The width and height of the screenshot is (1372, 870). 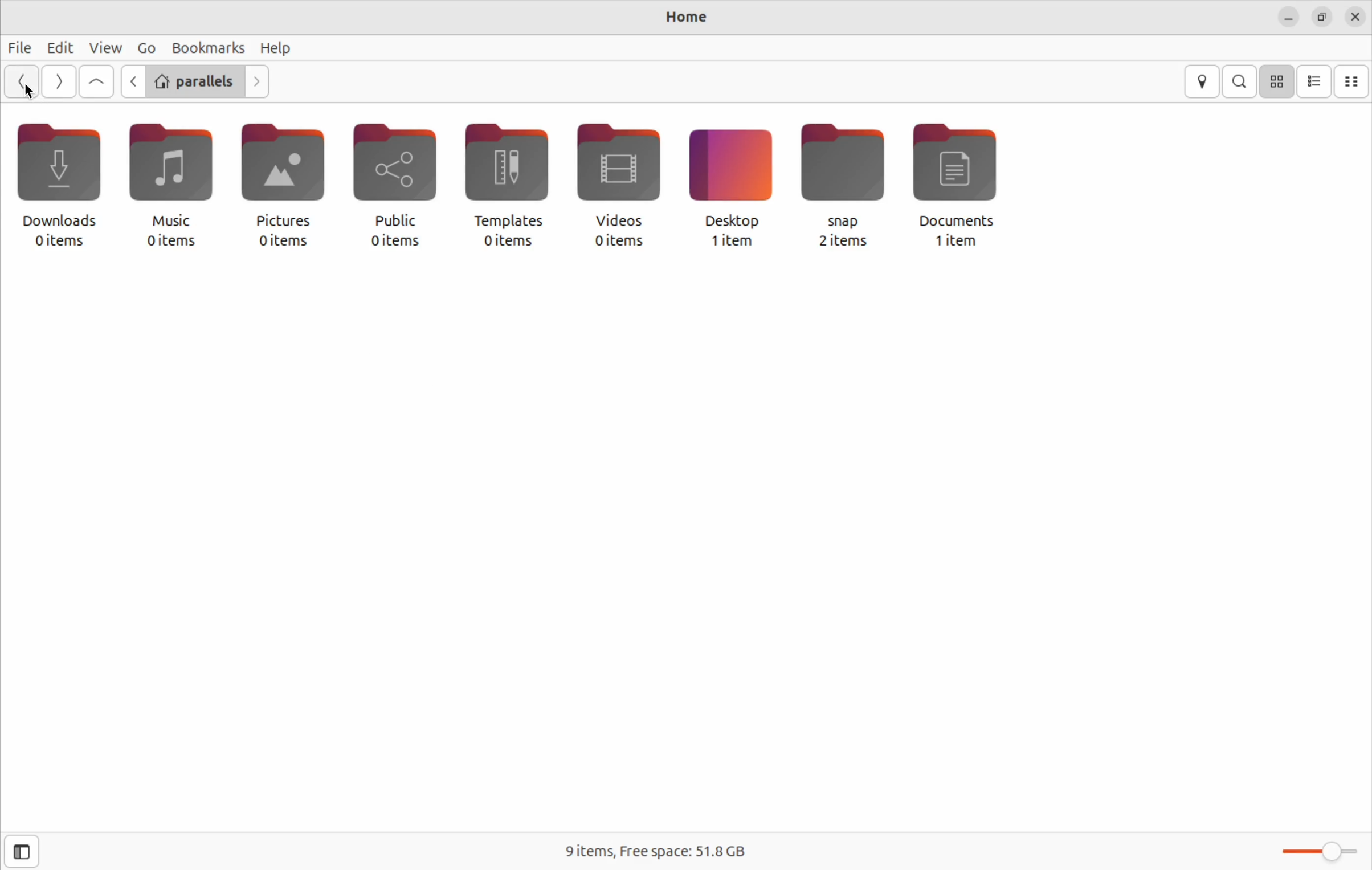 I want to click on search bar, so click(x=1241, y=81).